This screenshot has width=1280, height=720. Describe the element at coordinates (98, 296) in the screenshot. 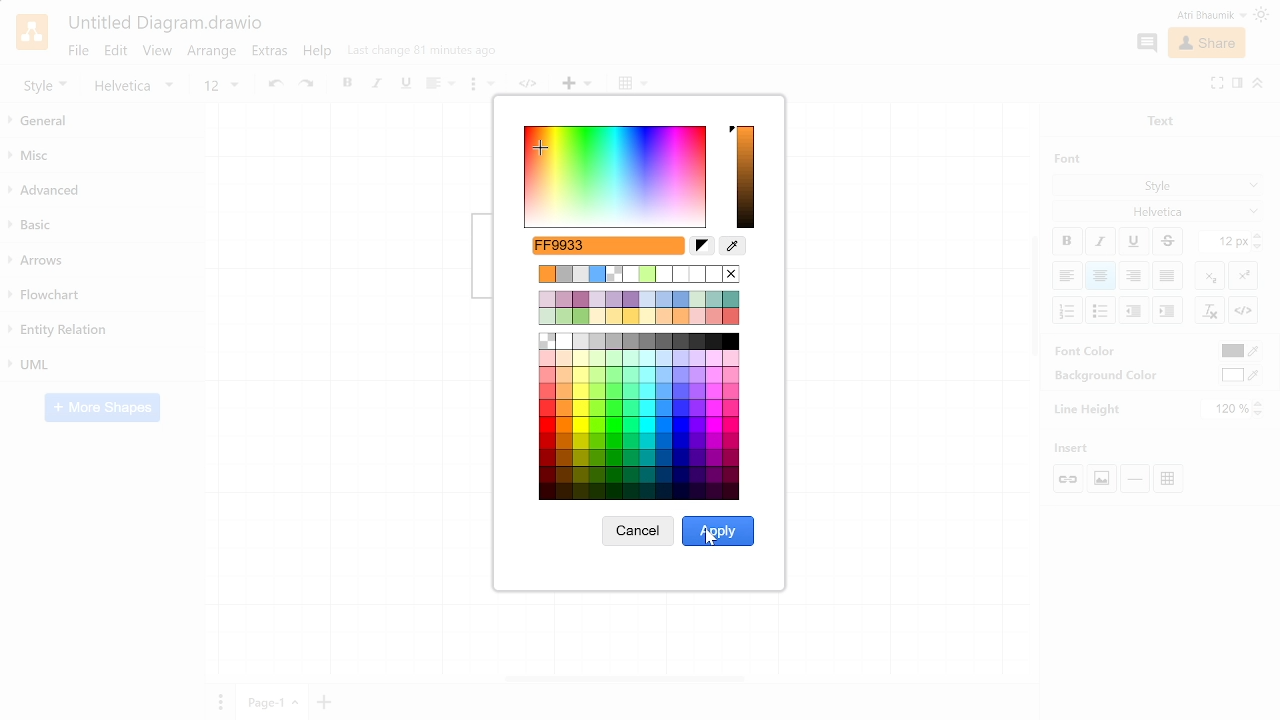

I see `Flowchart` at that location.